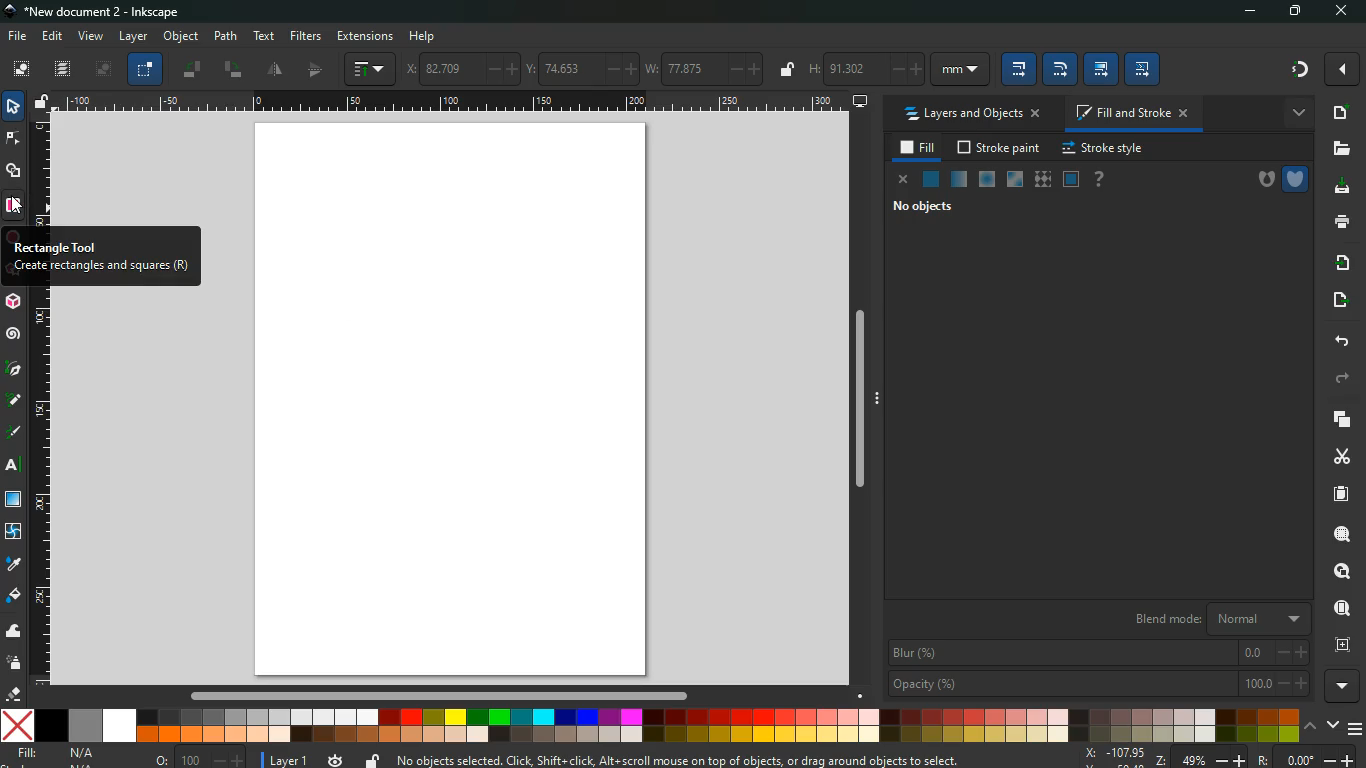 The height and width of the screenshot is (768, 1366). What do you see at coordinates (1042, 180) in the screenshot?
I see `texture` at bounding box center [1042, 180].